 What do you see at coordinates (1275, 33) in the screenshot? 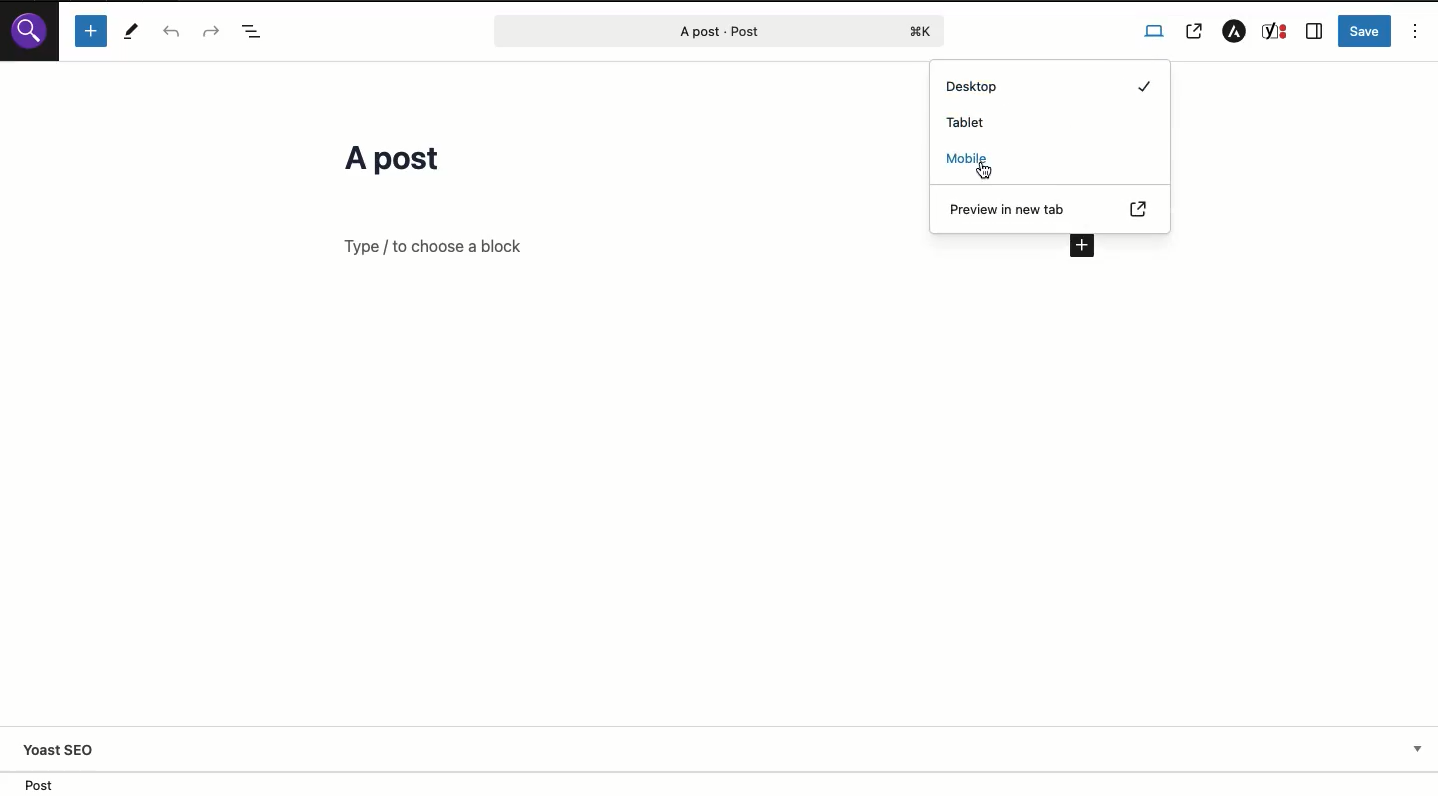
I see `Yoast` at bounding box center [1275, 33].